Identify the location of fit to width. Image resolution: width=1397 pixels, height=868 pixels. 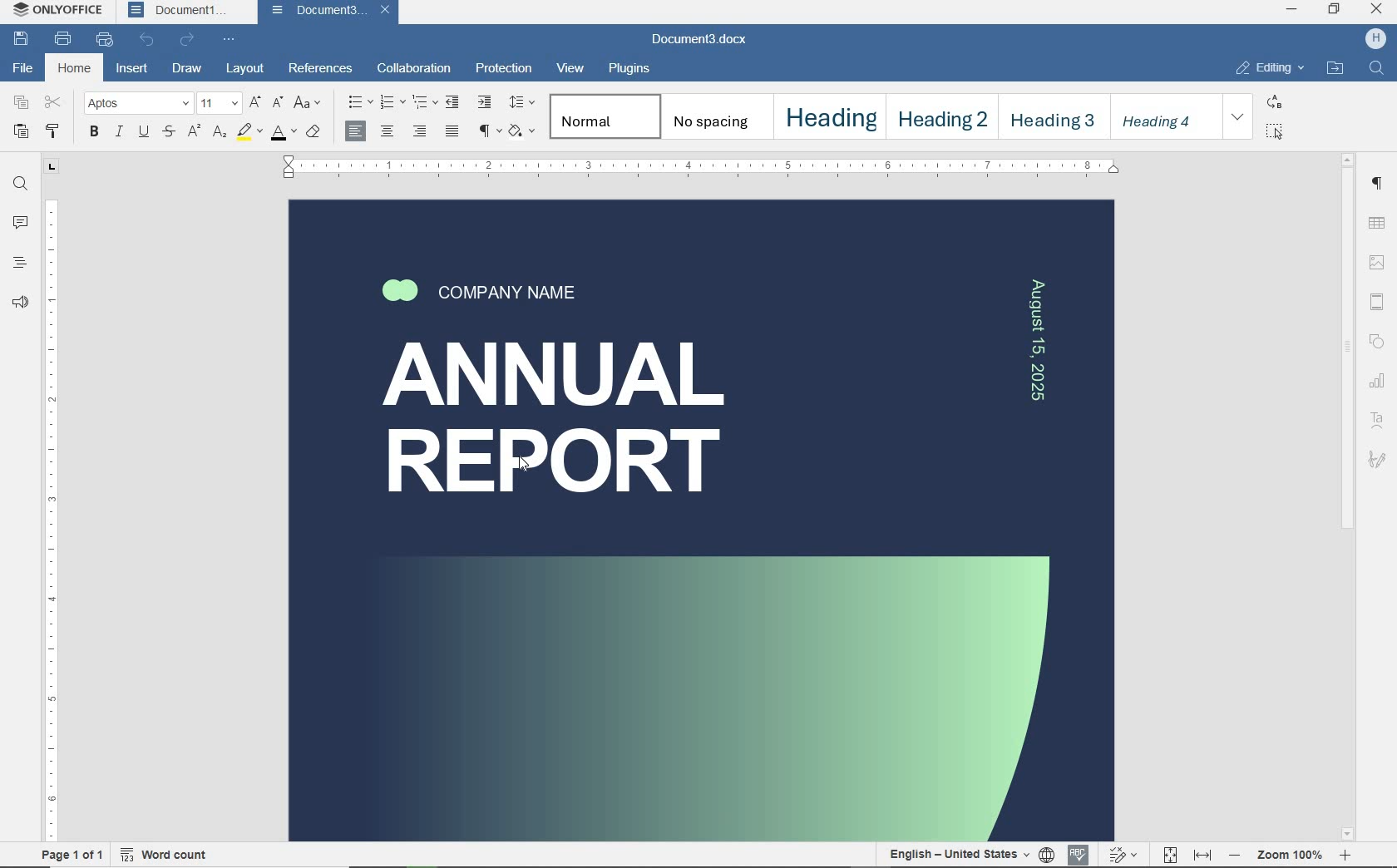
(1202, 856).